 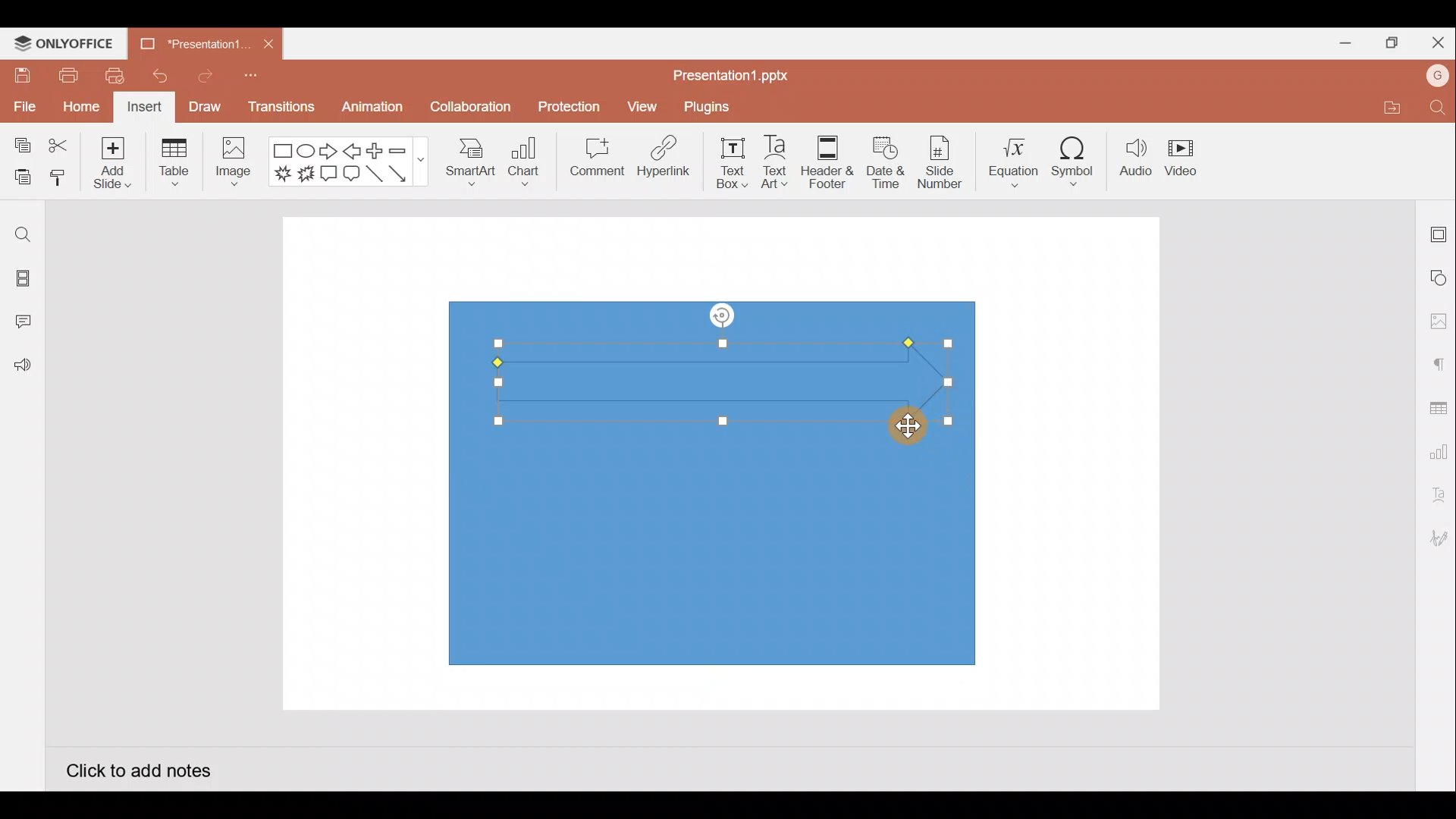 I want to click on Copy, so click(x=20, y=146).